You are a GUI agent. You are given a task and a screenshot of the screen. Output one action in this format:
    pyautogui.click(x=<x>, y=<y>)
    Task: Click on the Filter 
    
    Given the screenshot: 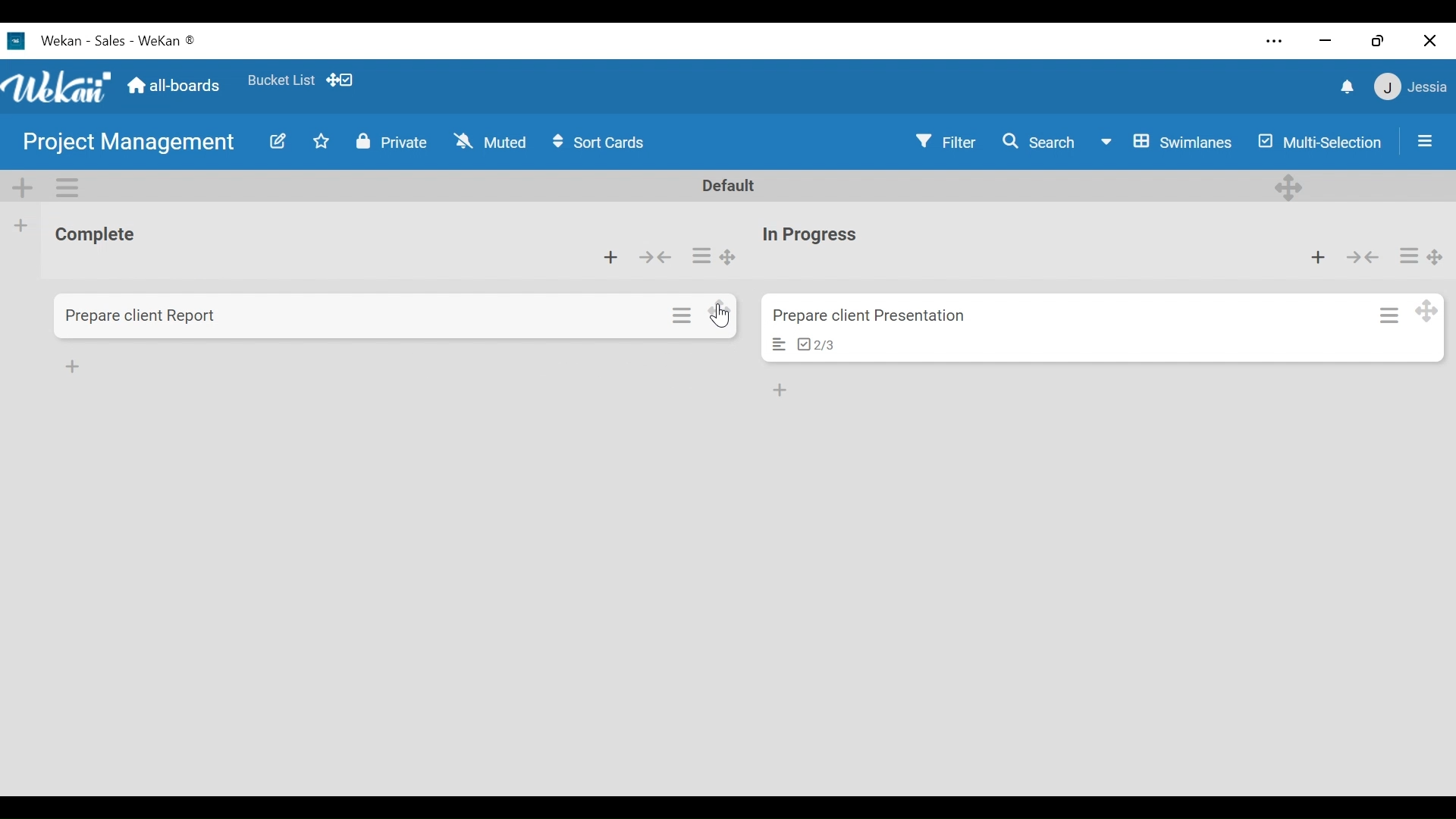 What is the action you would take?
    pyautogui.click(x=947, y=143)
    